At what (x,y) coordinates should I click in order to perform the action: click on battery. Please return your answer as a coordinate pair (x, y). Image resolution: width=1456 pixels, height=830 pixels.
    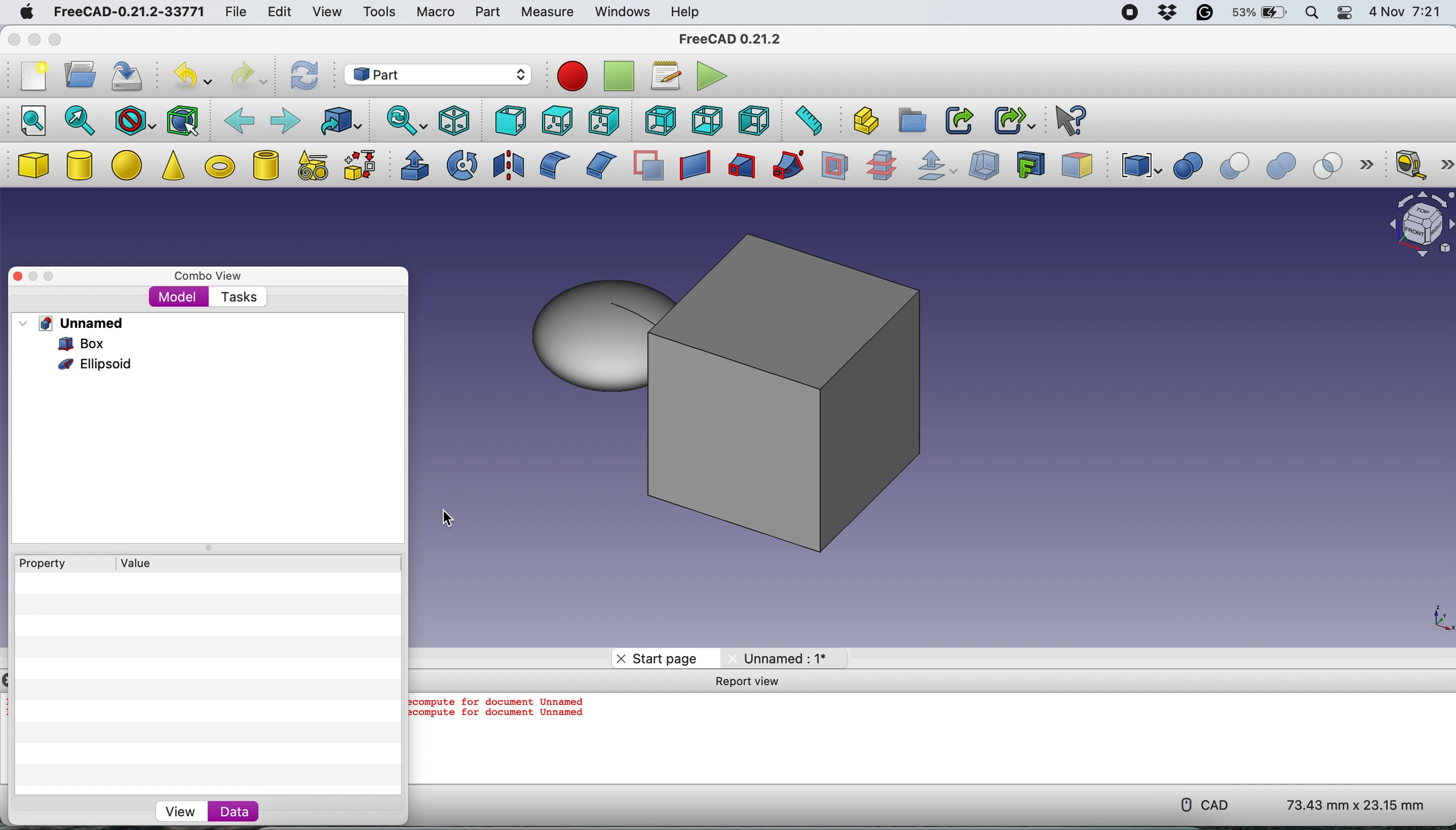
    Looking at the image, I should click on (1258, 14).